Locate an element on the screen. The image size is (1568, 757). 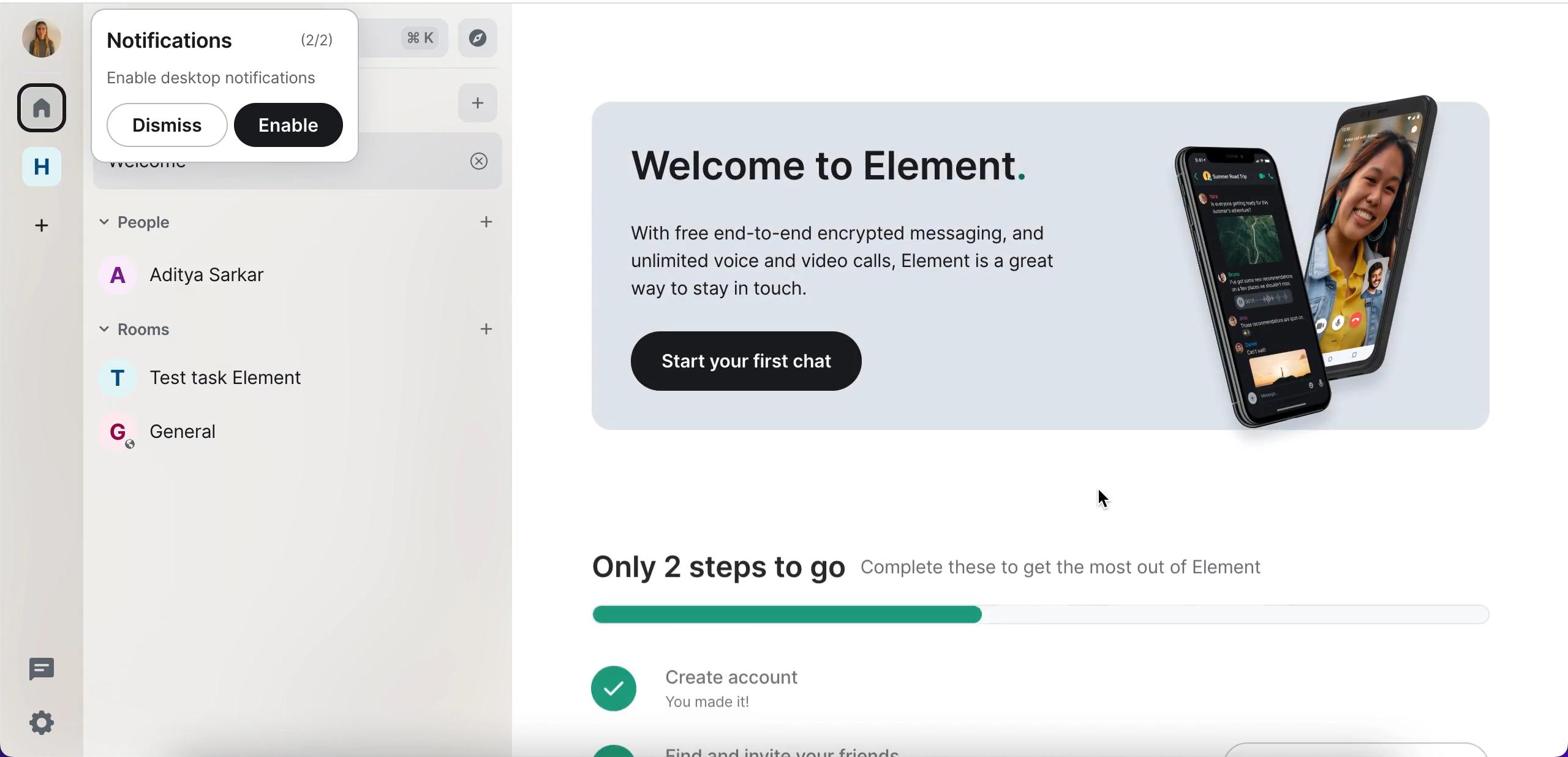
add is located at coordinates (490, 221).